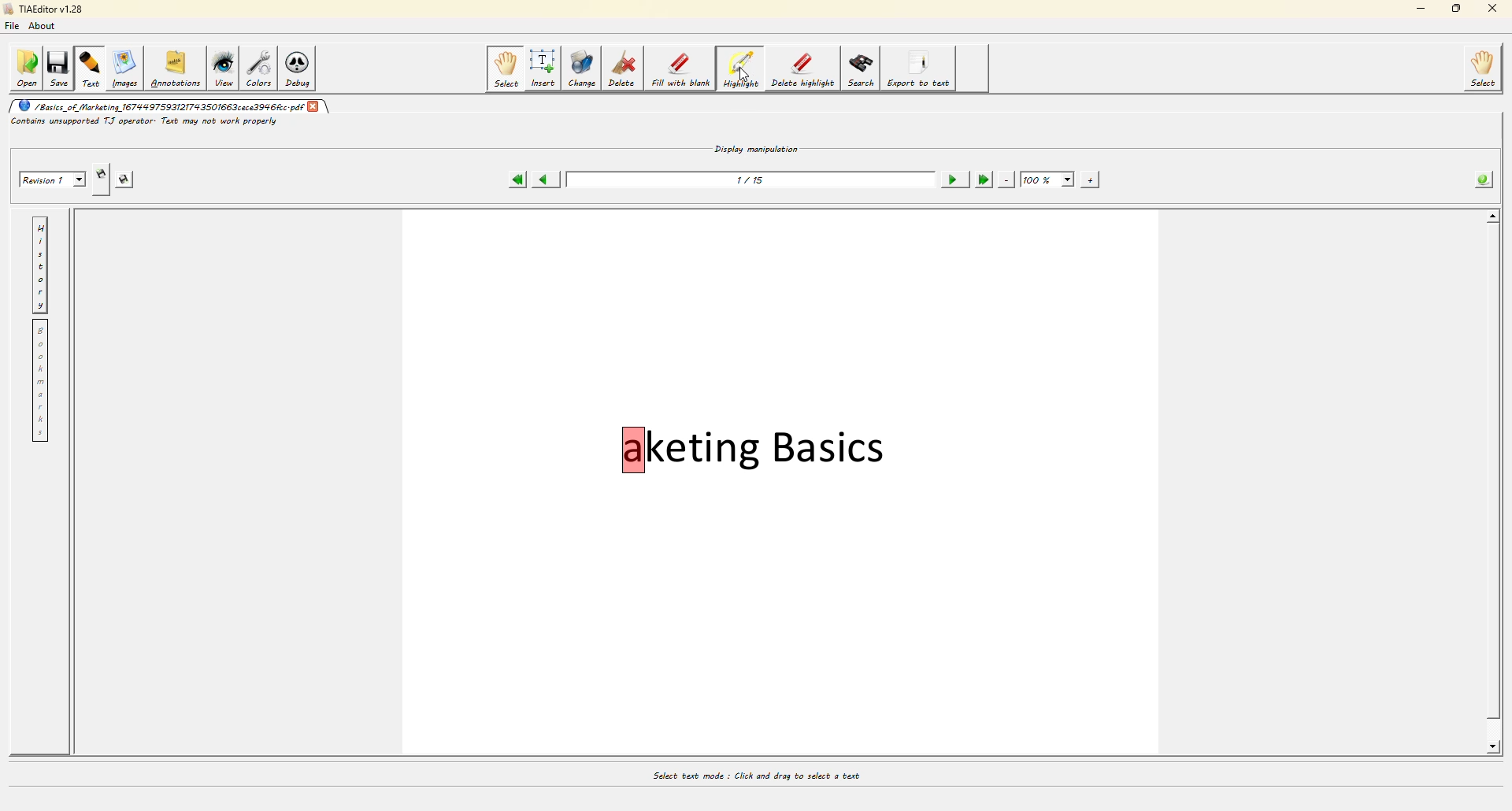  I want to click on 100%, so click(1047, 179).